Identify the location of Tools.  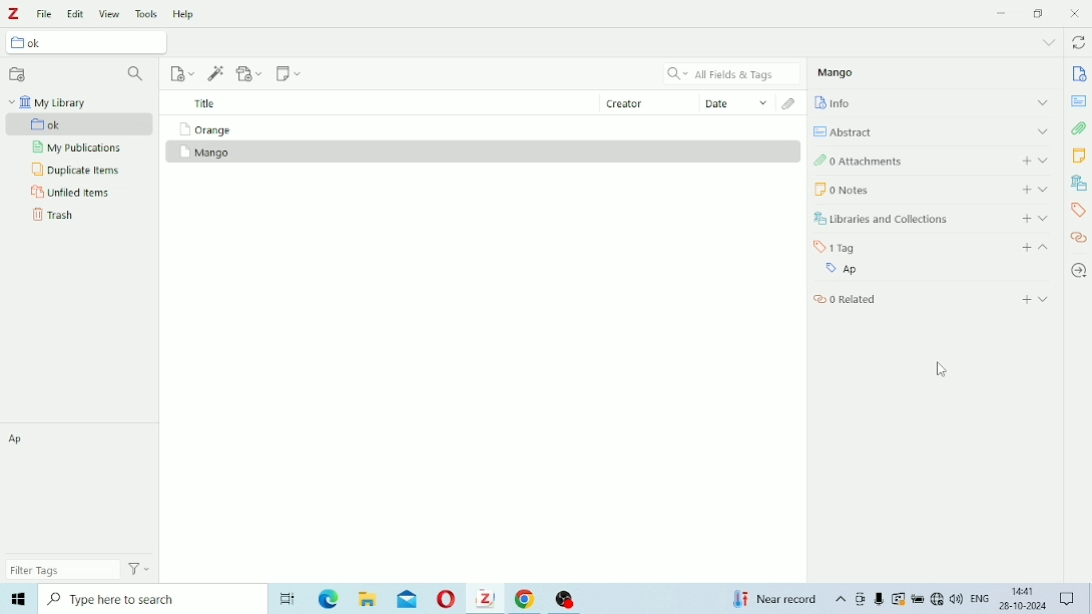
(147, 15).